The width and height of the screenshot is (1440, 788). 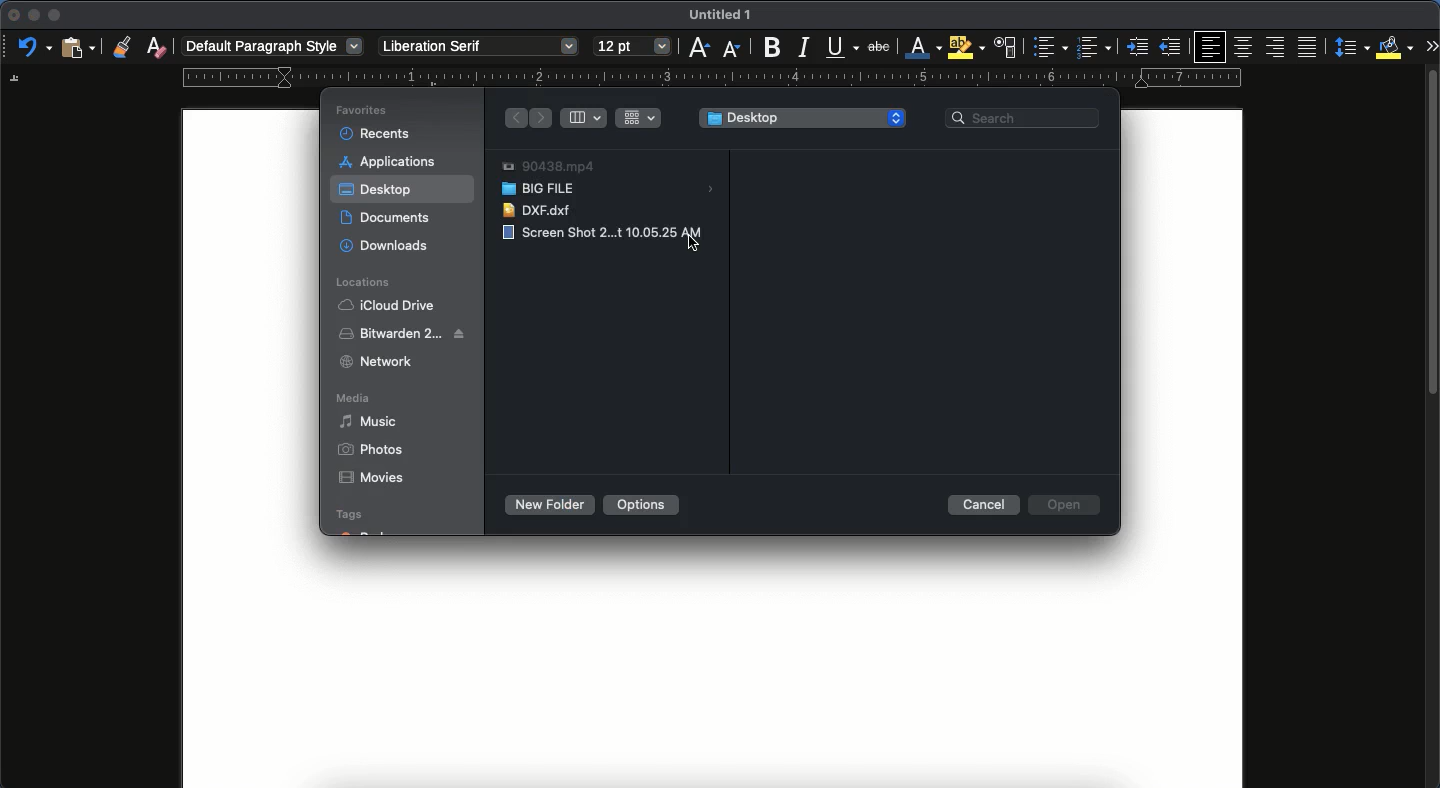 What do you see at coordinates (275, 47) in the screenshot?
I see `default paragraph style` at bounding box center [275, 47].